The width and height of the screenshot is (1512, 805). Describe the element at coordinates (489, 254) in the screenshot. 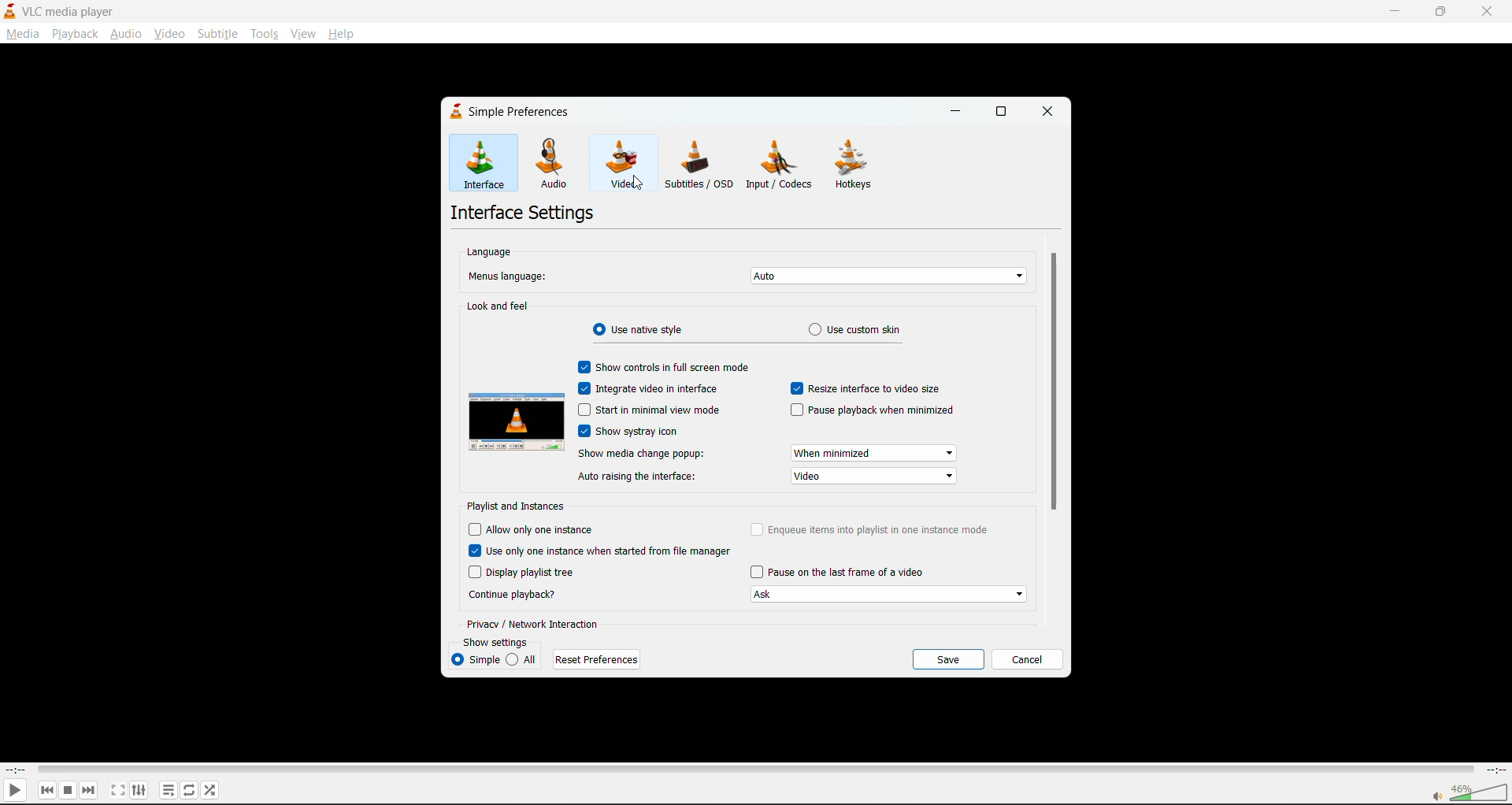

I see `language` at that location.